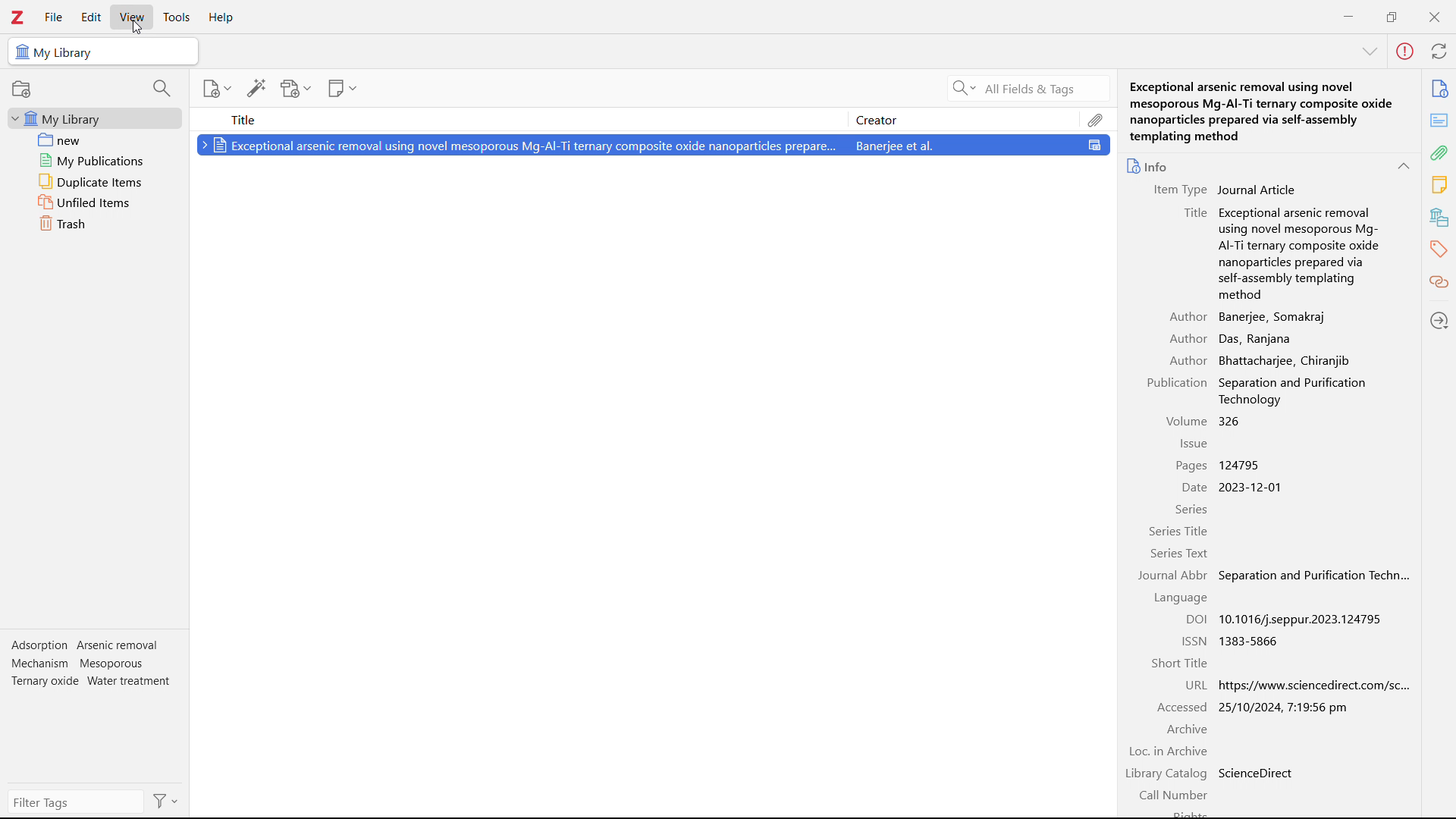 The height and width of the screenshot is (819, 1456). I want to click on Series Title, so click(1178, 530).